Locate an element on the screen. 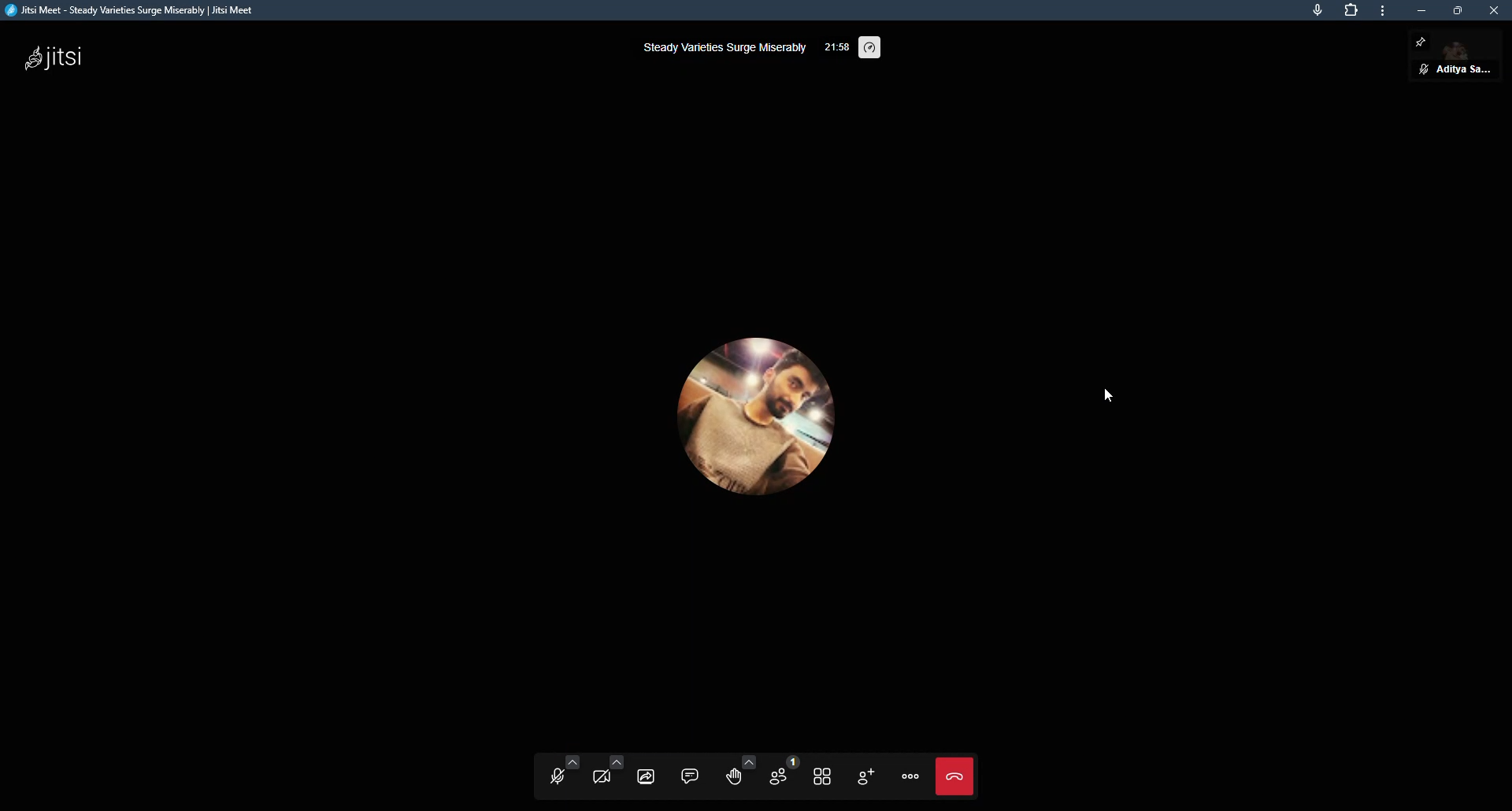  maximize is located at coordinates (1462, 10).